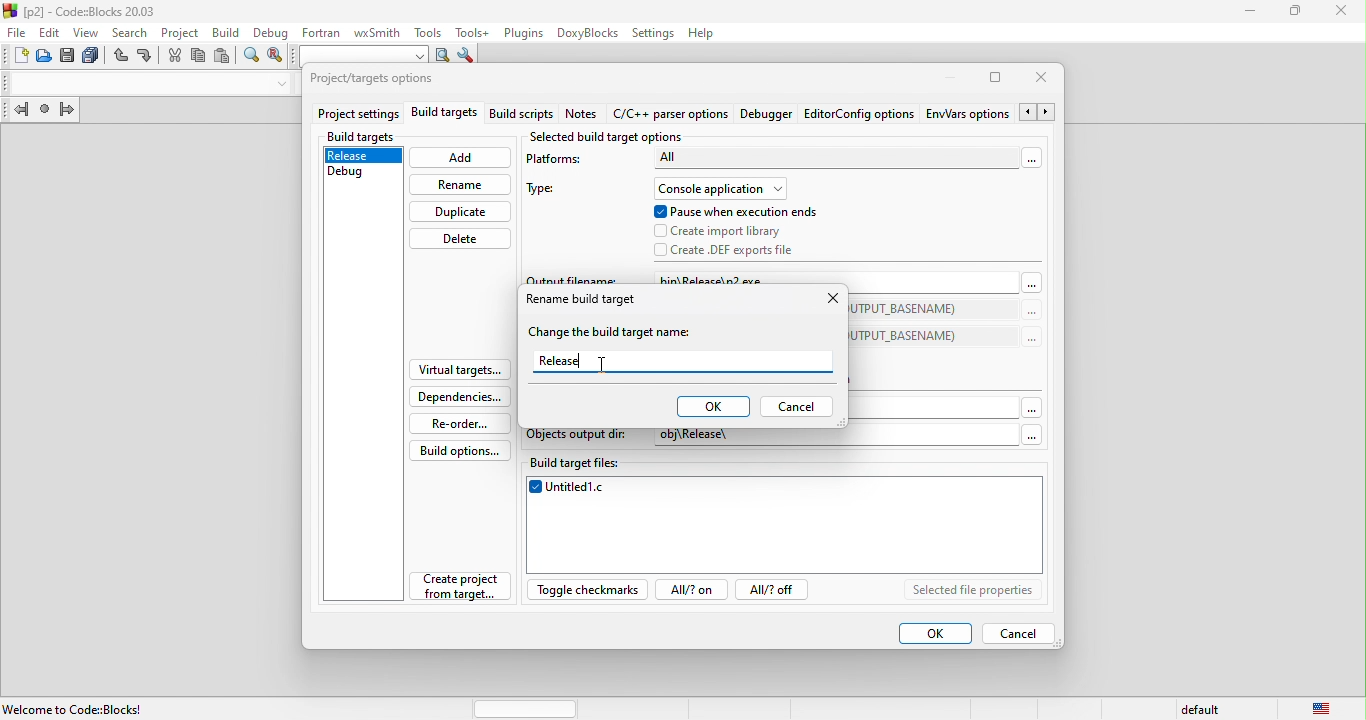 This screenshot has height=720, width=1366. I want to click on fortran, so click(318, 31).